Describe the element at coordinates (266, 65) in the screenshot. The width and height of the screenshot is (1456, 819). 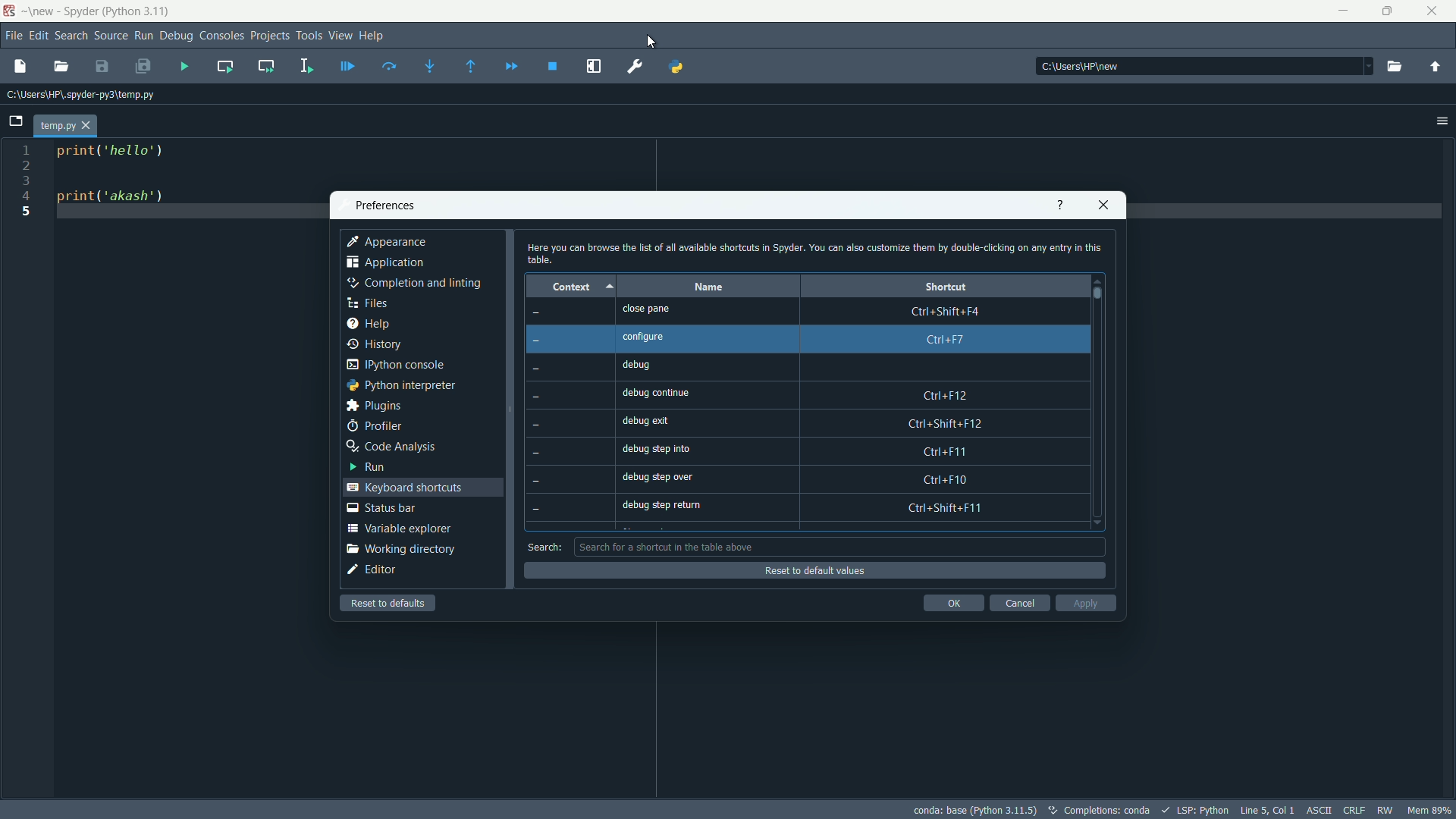
I see `run current cell and go to next one` at that location.